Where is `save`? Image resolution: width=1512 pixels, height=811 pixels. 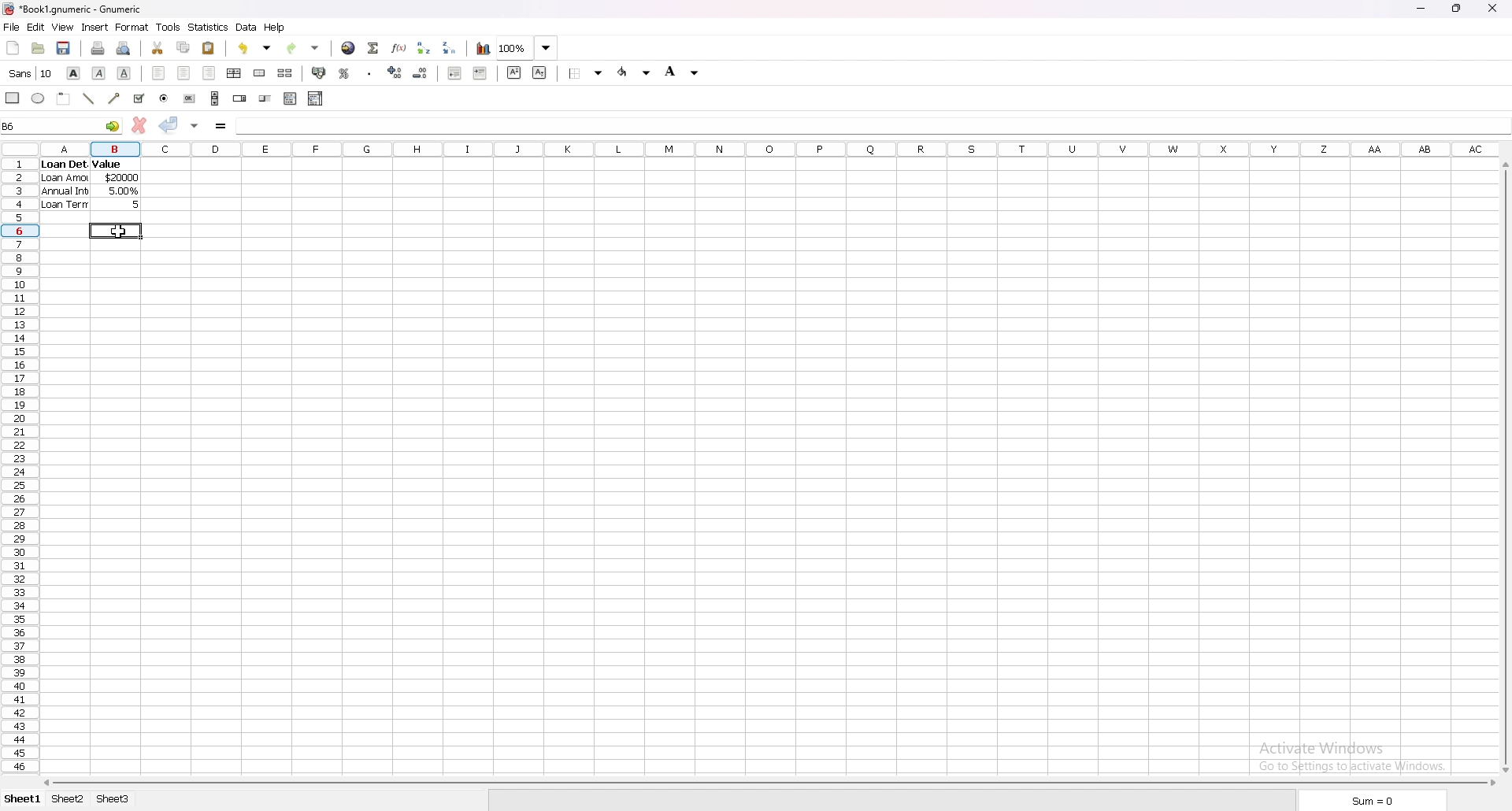
save is located at coordinates (65, 47).